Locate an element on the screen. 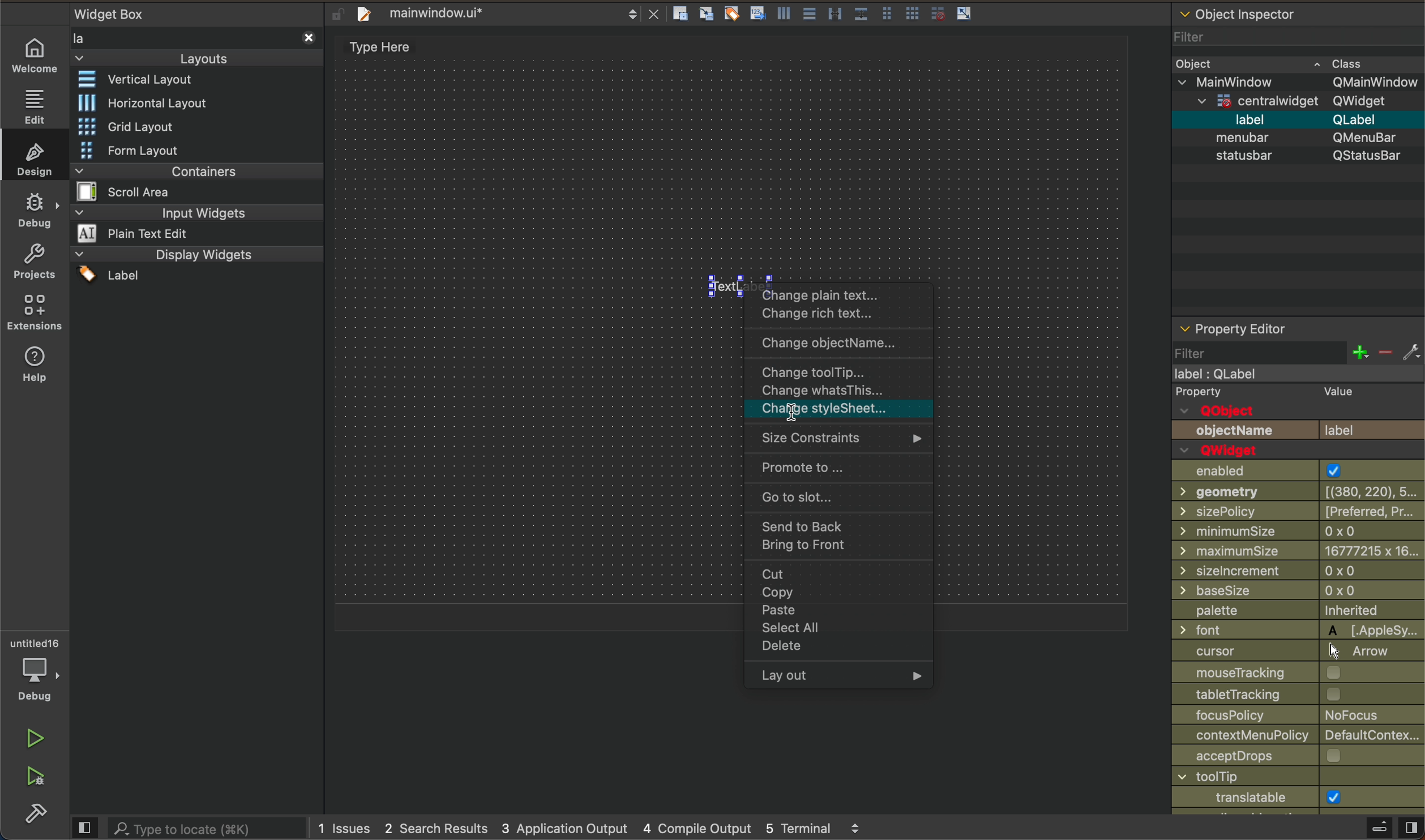 Image resolution: width=1425 pixels, height=840 pixels. property editor is located at coordinates (1298, 342).